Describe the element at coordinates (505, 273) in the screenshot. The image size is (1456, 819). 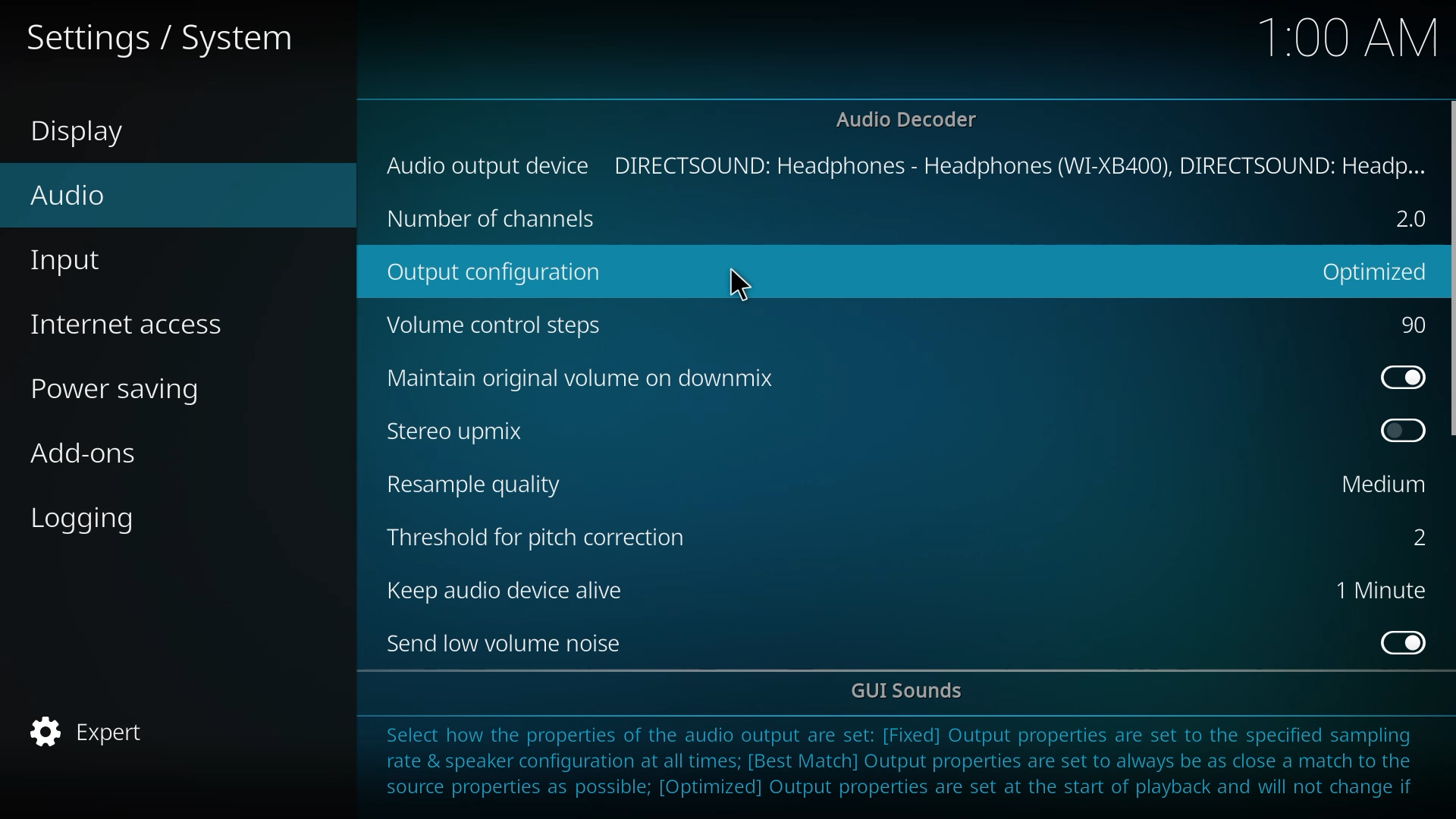
I see `output config` at that location.